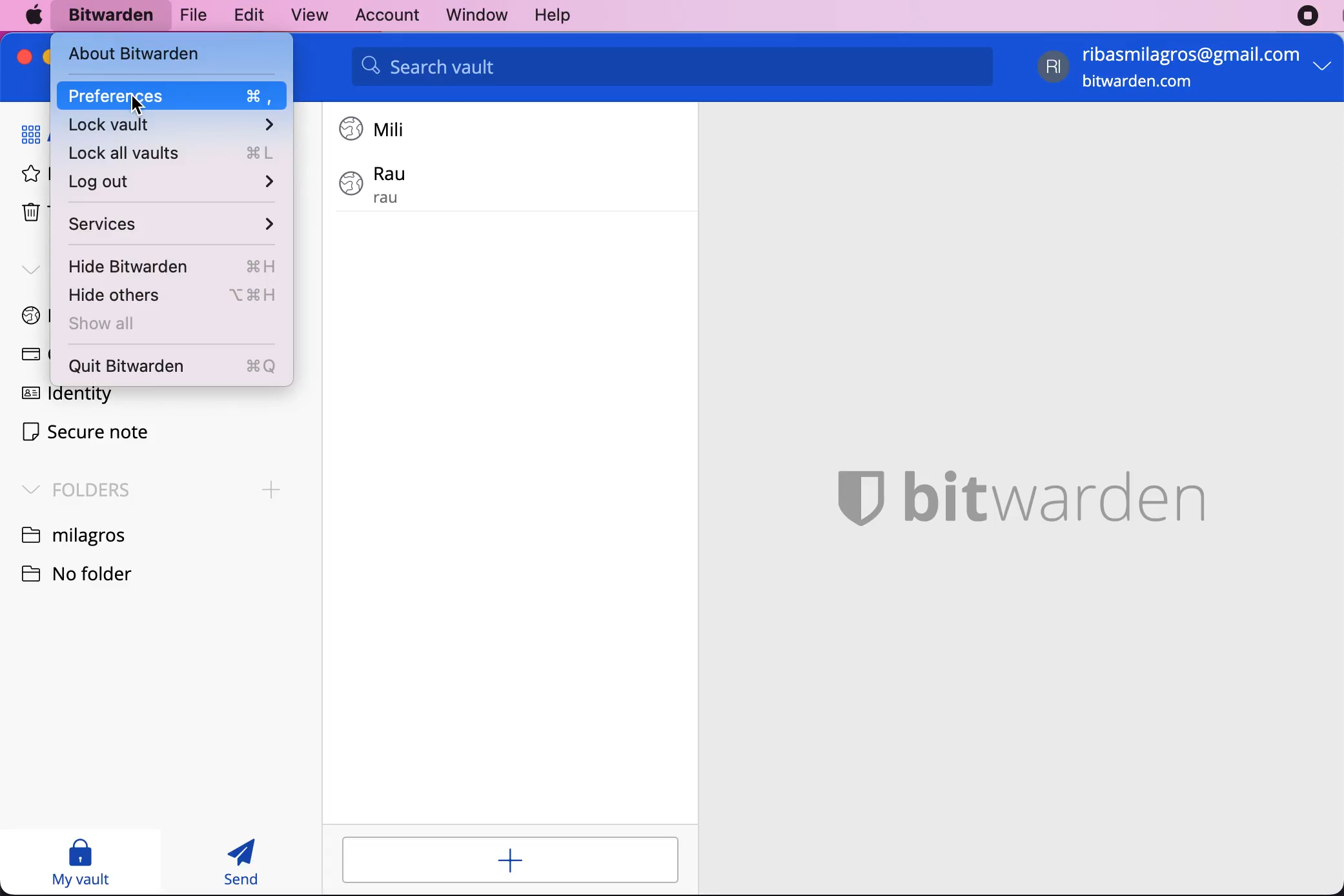  Describe the element at coordinates (429, 184) in the screenshot. I see `login 2` at that location.